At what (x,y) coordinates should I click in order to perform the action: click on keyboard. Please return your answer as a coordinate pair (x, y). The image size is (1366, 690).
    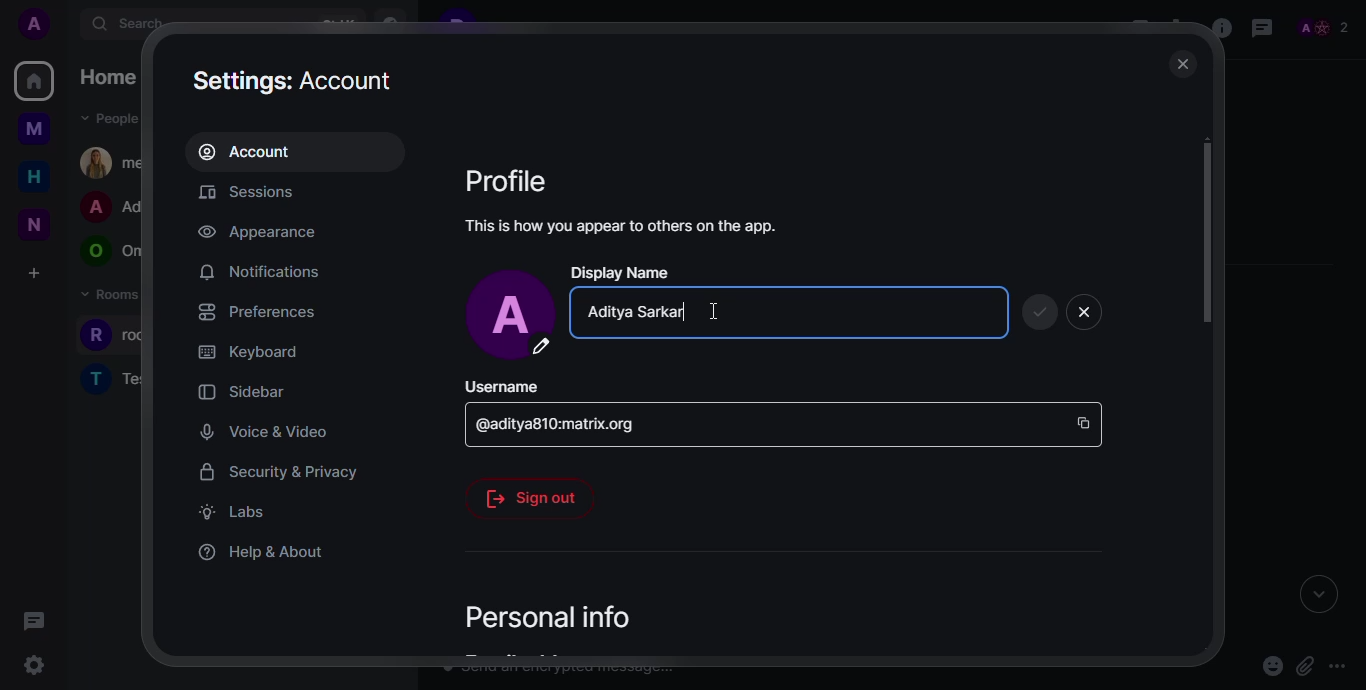
    Looking at the image, I should click on (248, 350).